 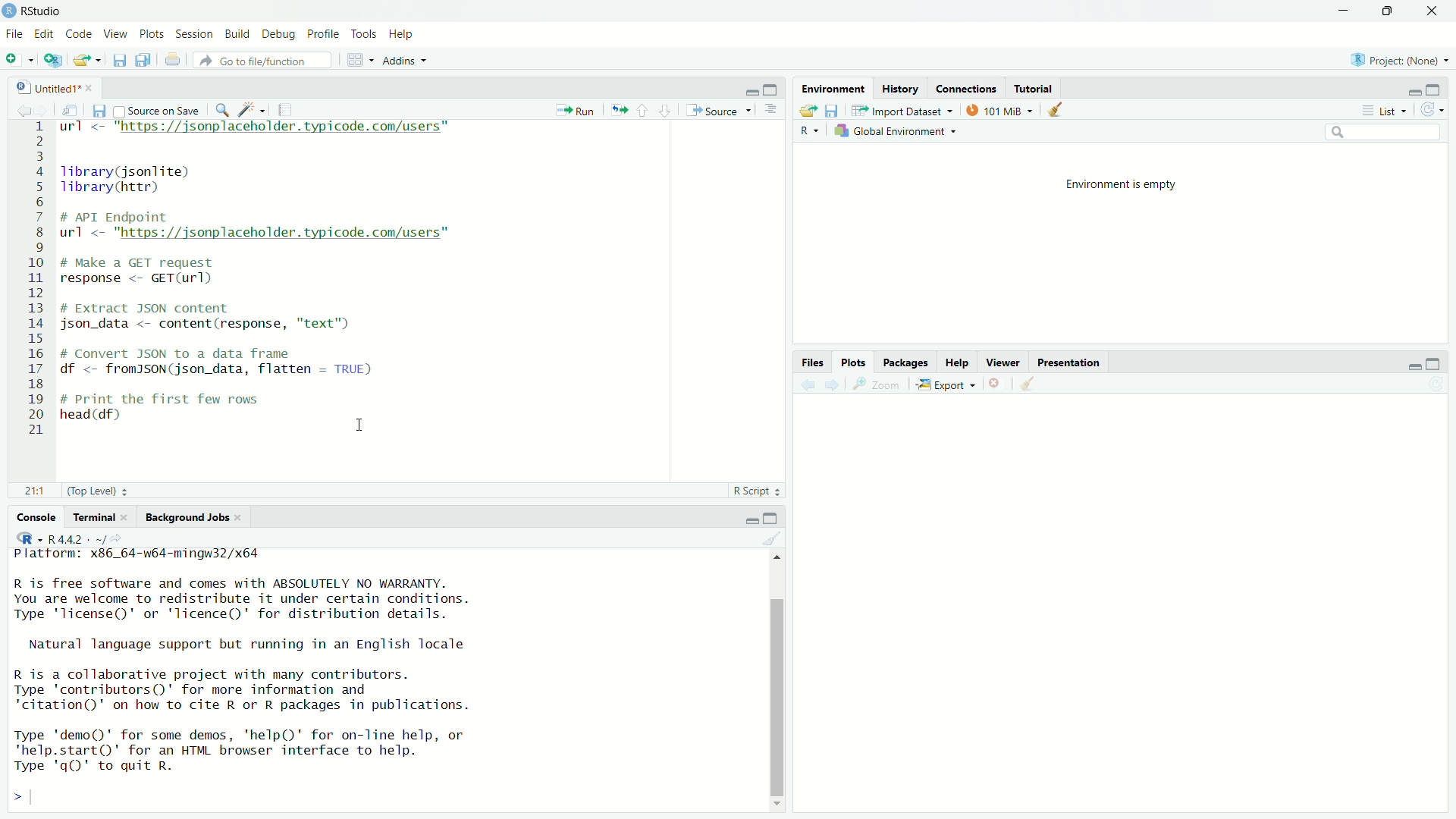 I want to click on Import Dataset , so click(x=903, y=111).